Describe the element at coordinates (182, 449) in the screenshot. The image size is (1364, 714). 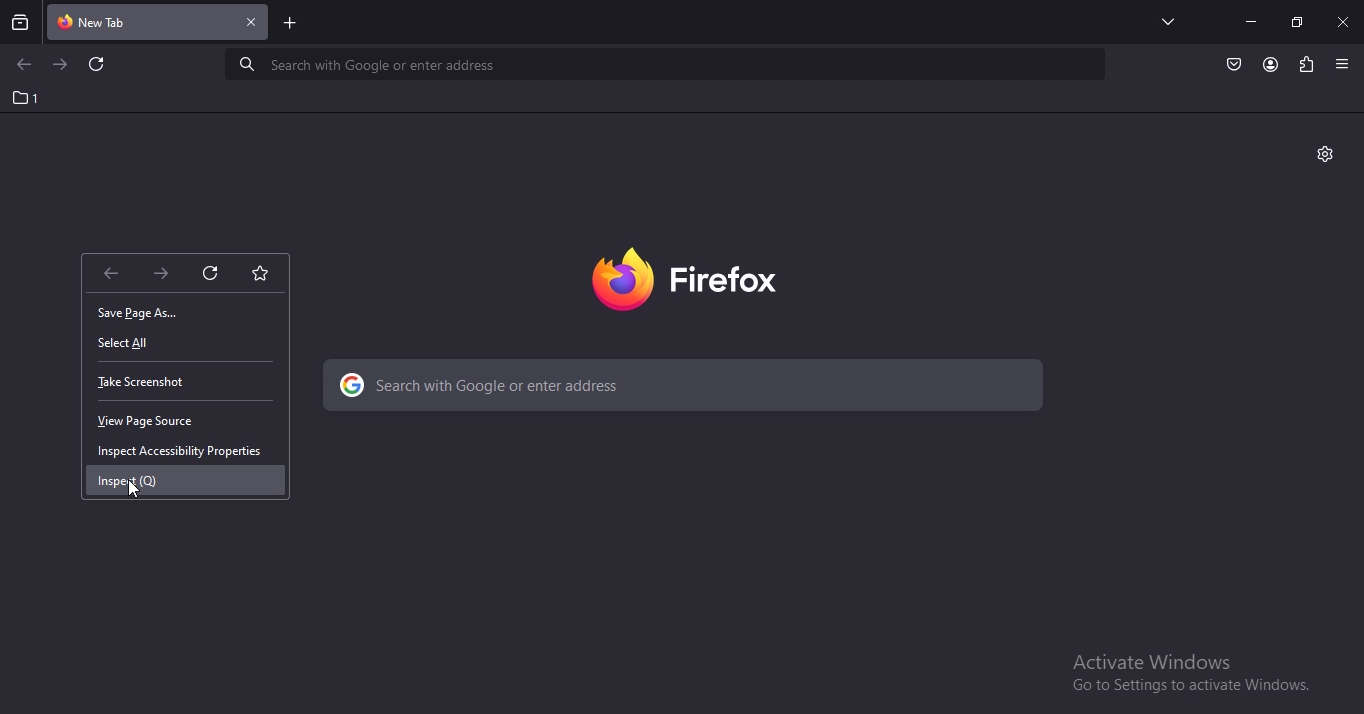
I see `inspect accessibilty properties` at that location.